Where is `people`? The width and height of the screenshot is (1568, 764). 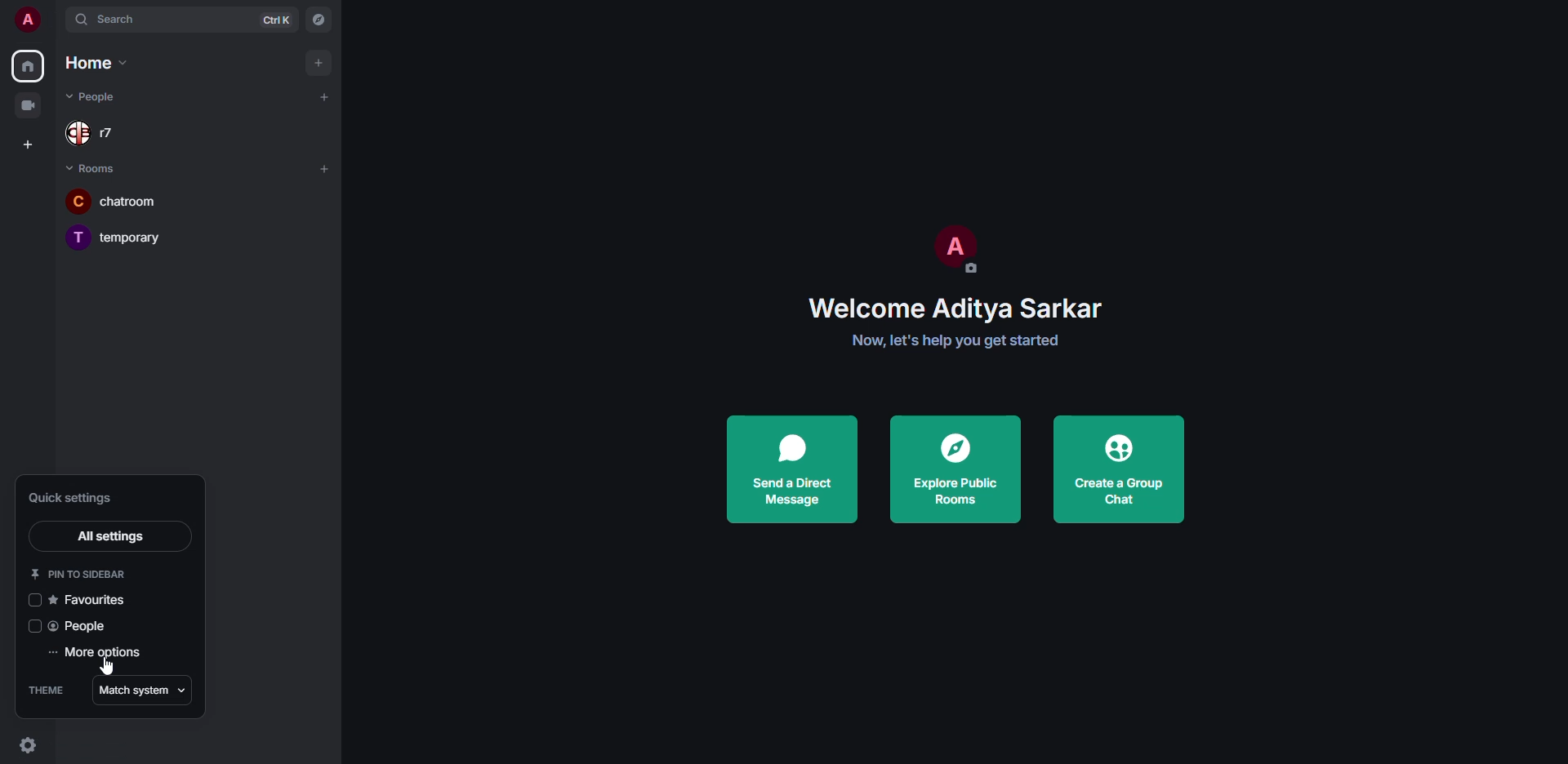
people is located at coordinates (81, 627).